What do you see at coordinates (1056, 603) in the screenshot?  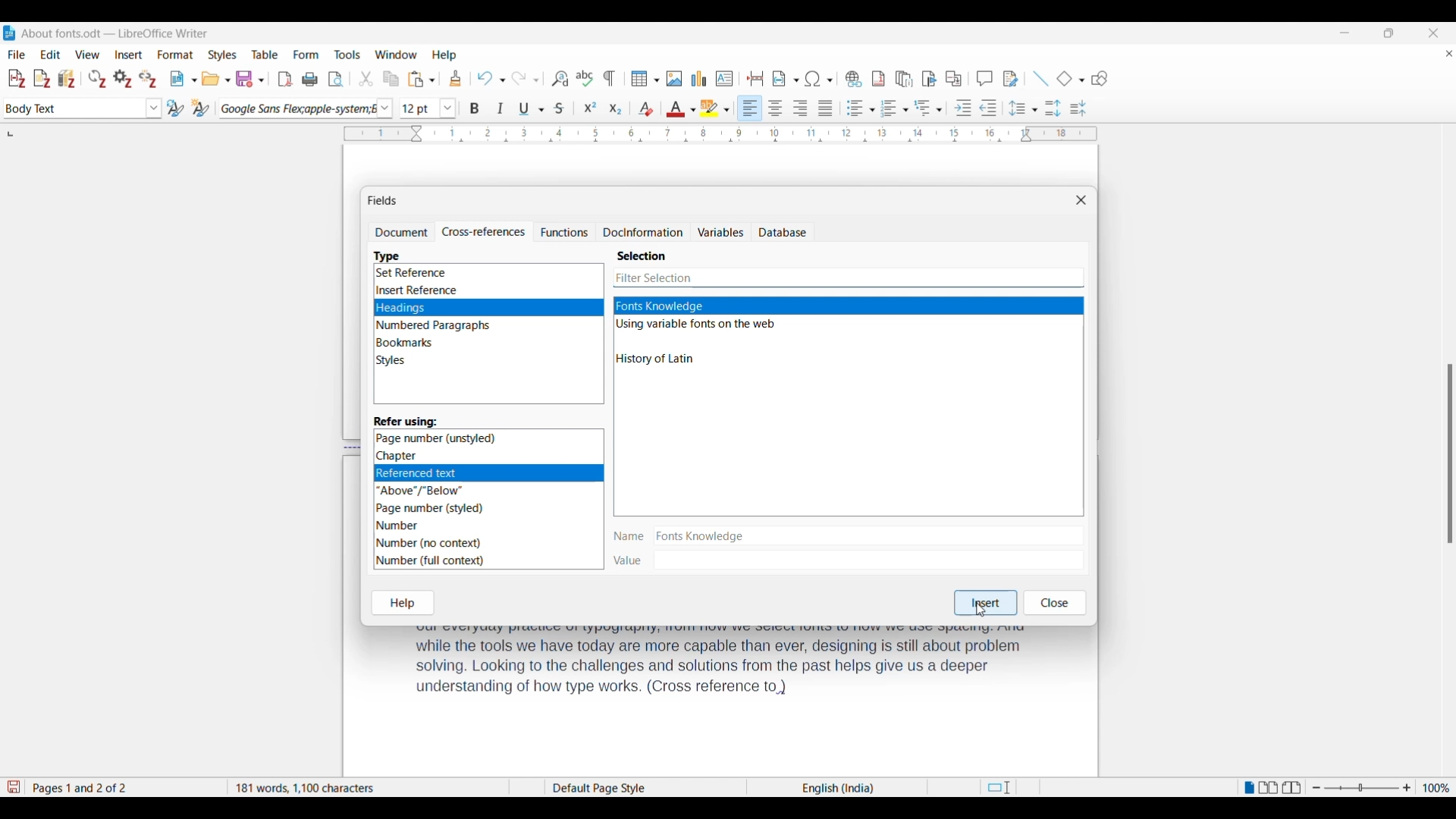 I see `Close` at bounding box center [1056, 603].